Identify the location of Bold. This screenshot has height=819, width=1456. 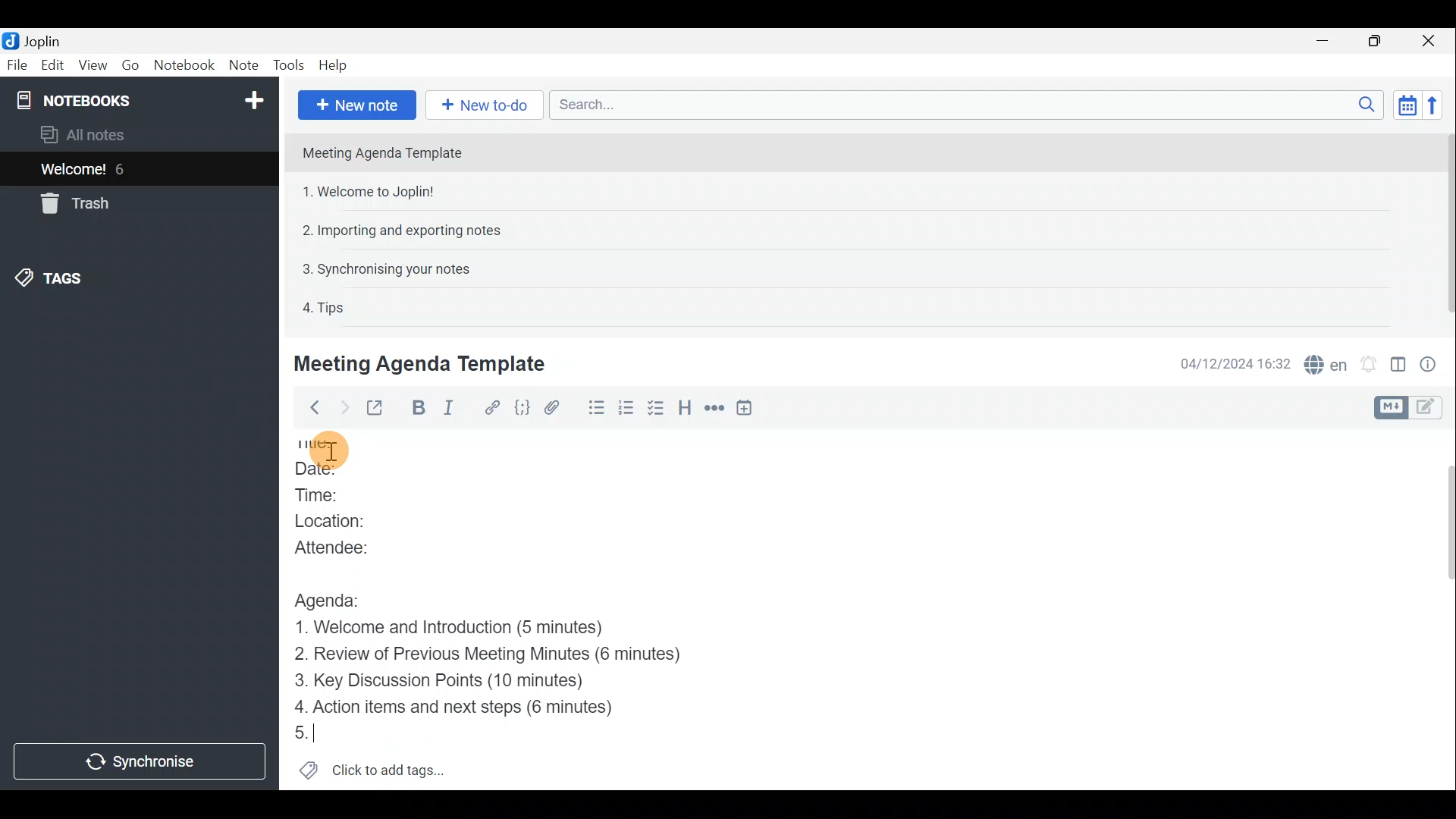
(419, 408).